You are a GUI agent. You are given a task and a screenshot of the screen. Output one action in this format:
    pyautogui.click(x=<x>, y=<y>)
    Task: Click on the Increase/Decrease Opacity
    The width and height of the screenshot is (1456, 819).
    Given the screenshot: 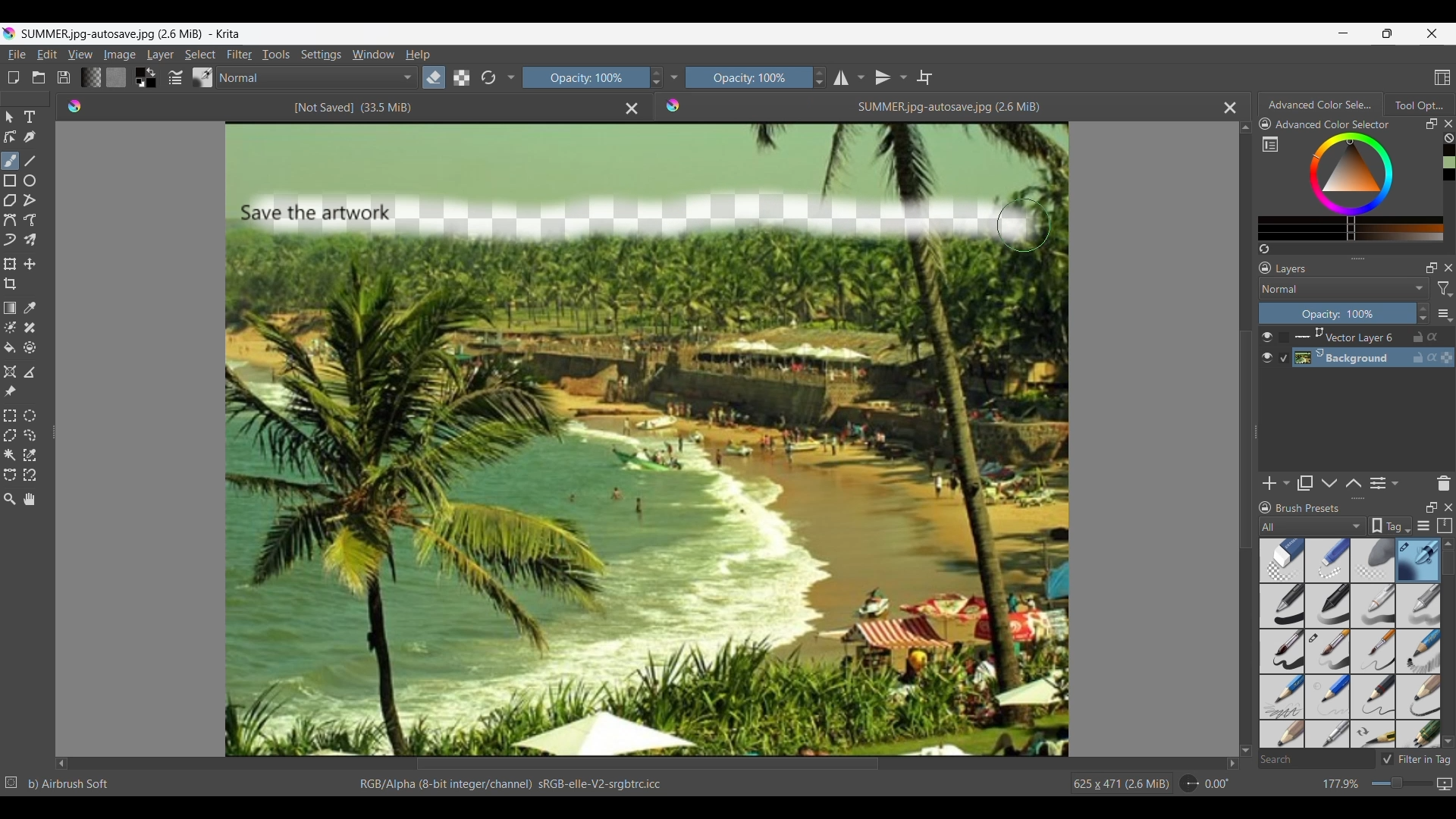 What is the action you would take?
    pyautogui.click(x=654, y=78)
    